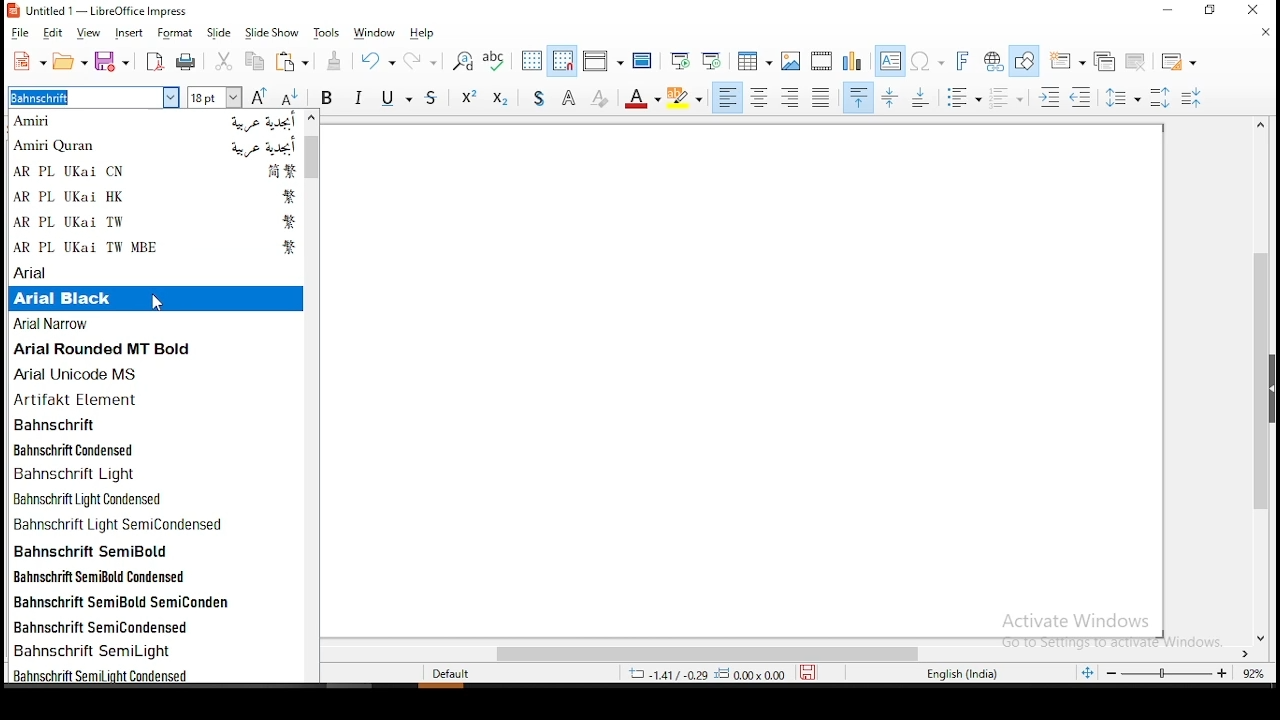 The image size is (1280, 720). Describe the element at coordinates (821, 61) in the screenshot. I see `insert audio or video` at that location.